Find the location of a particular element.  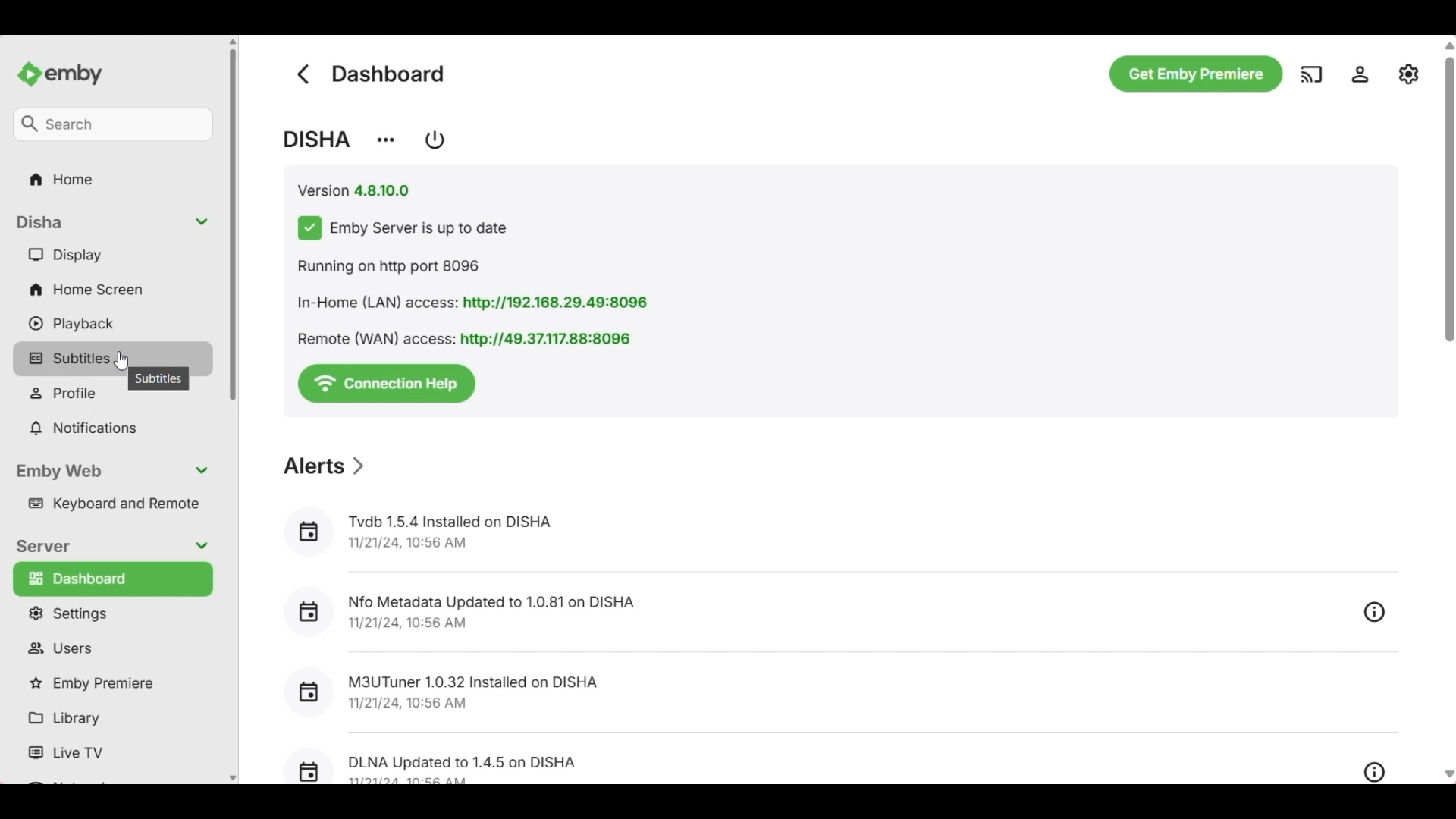

Get help about server connection is located at coordinates (387, 384).